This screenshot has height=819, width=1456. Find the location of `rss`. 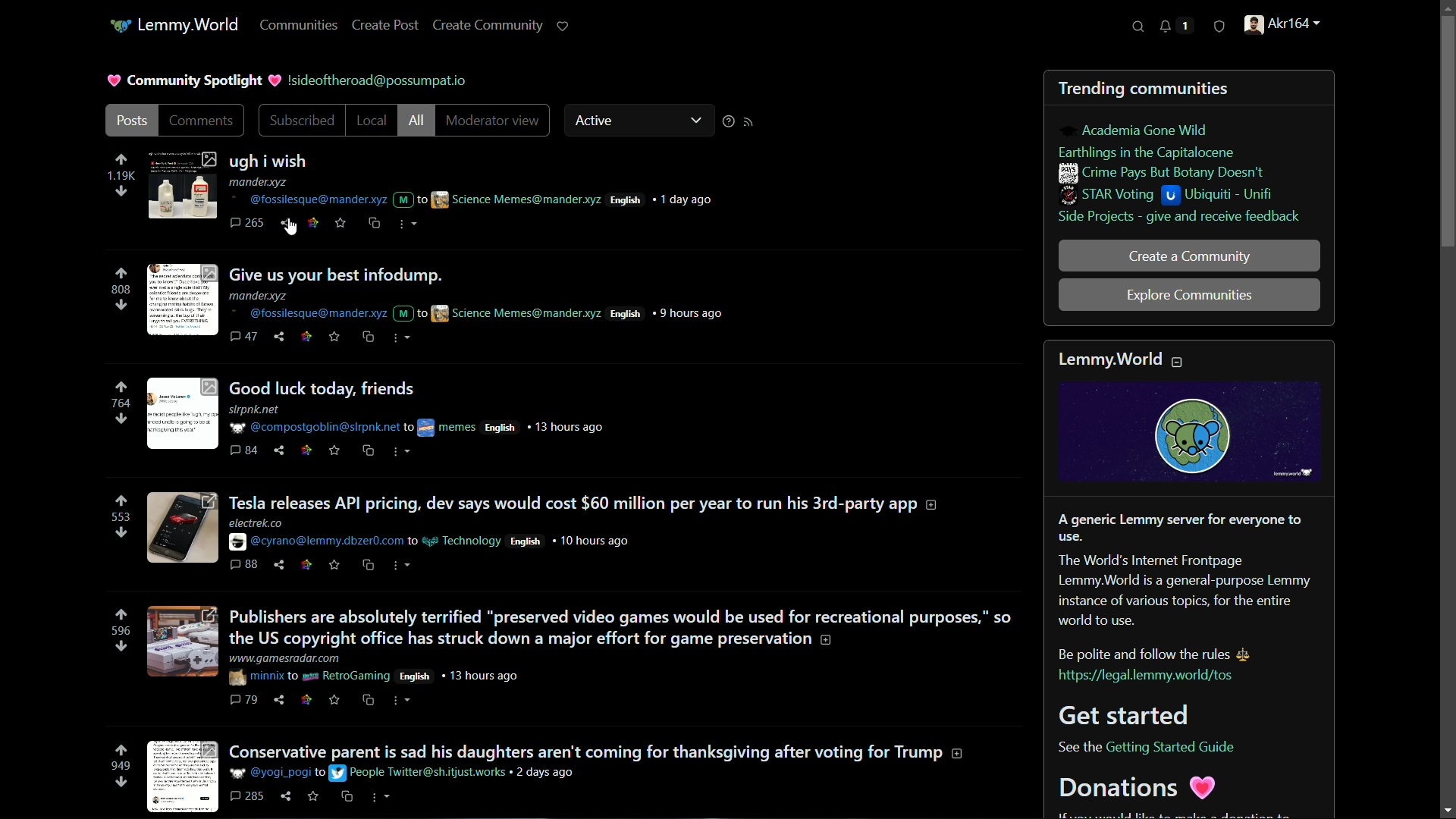

rss is located at coordinates (749, 121).